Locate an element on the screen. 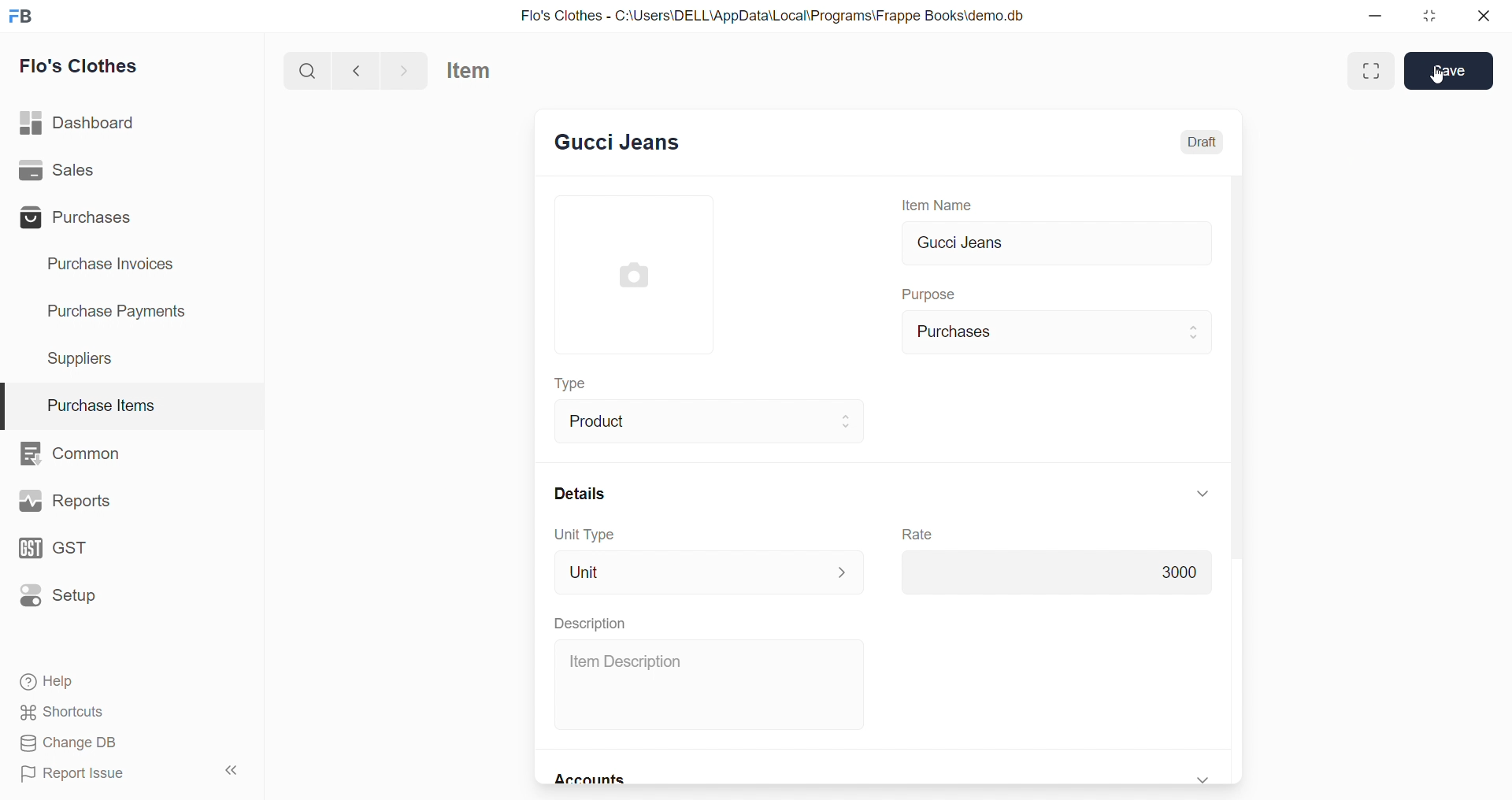 This screenshot has height=800, width=1512. Setup is located at coordinates (69, 598).